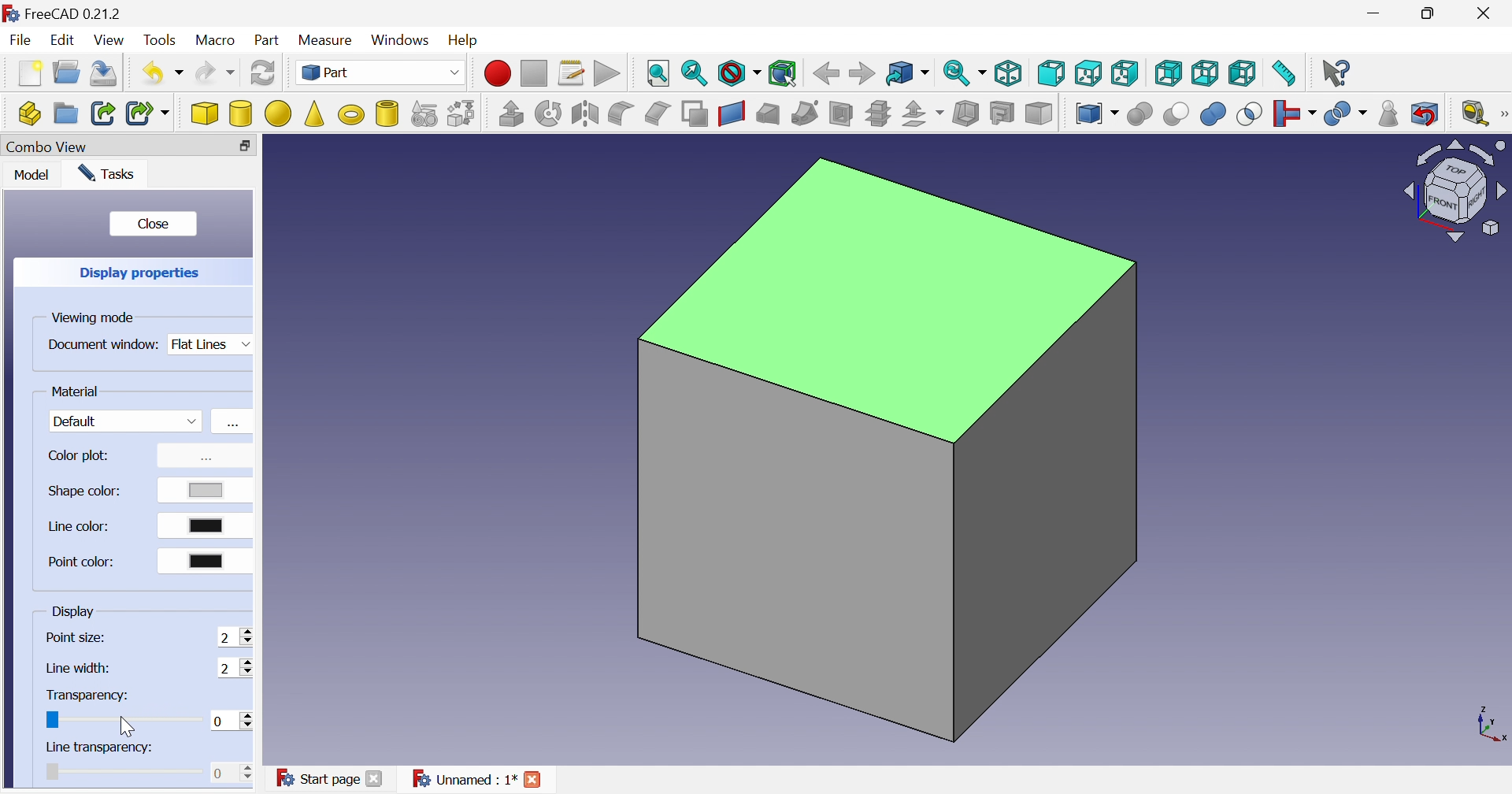 The width and height of the screenshot is (1512, 794). I want to click on Sphere, so click(279, 113).